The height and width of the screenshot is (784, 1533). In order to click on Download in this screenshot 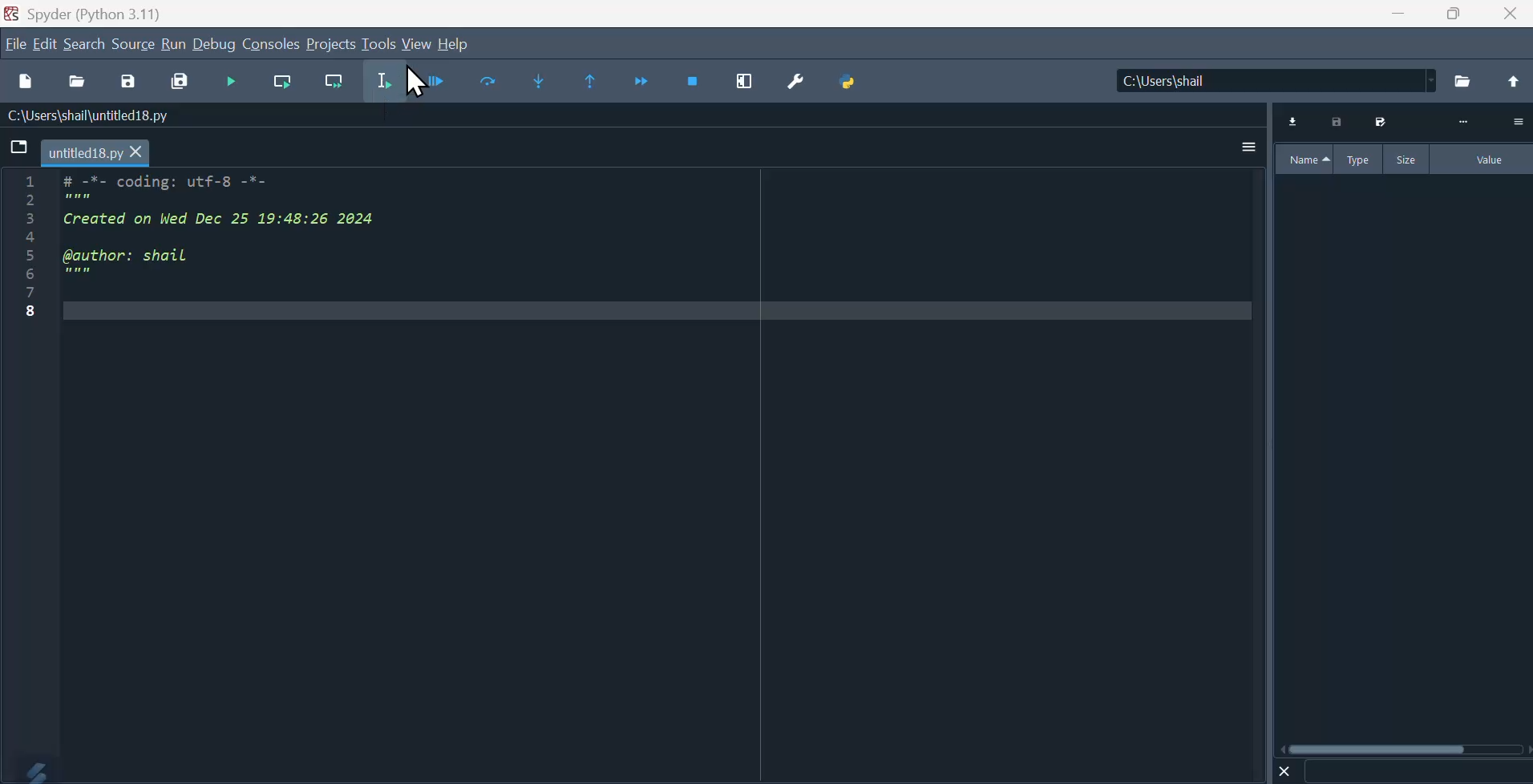, I will do `click(1294, 122)`.